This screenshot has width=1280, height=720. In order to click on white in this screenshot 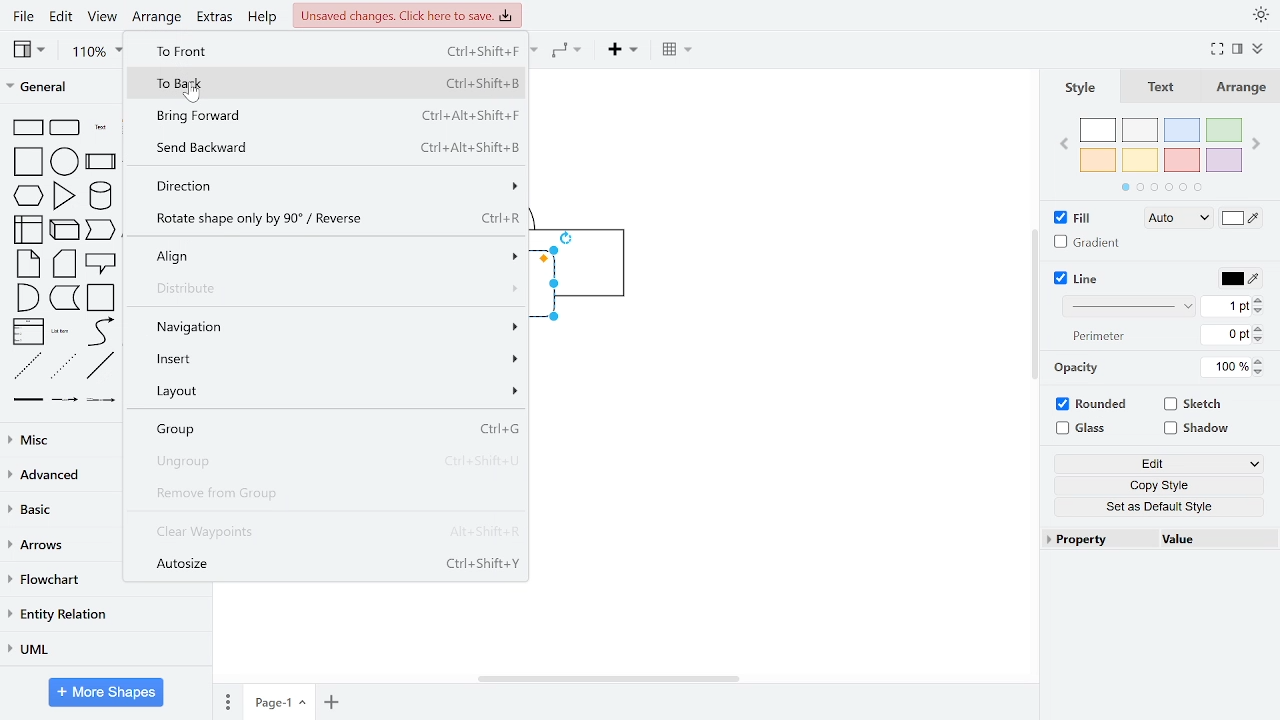, I will do `click(1098, 130)`.